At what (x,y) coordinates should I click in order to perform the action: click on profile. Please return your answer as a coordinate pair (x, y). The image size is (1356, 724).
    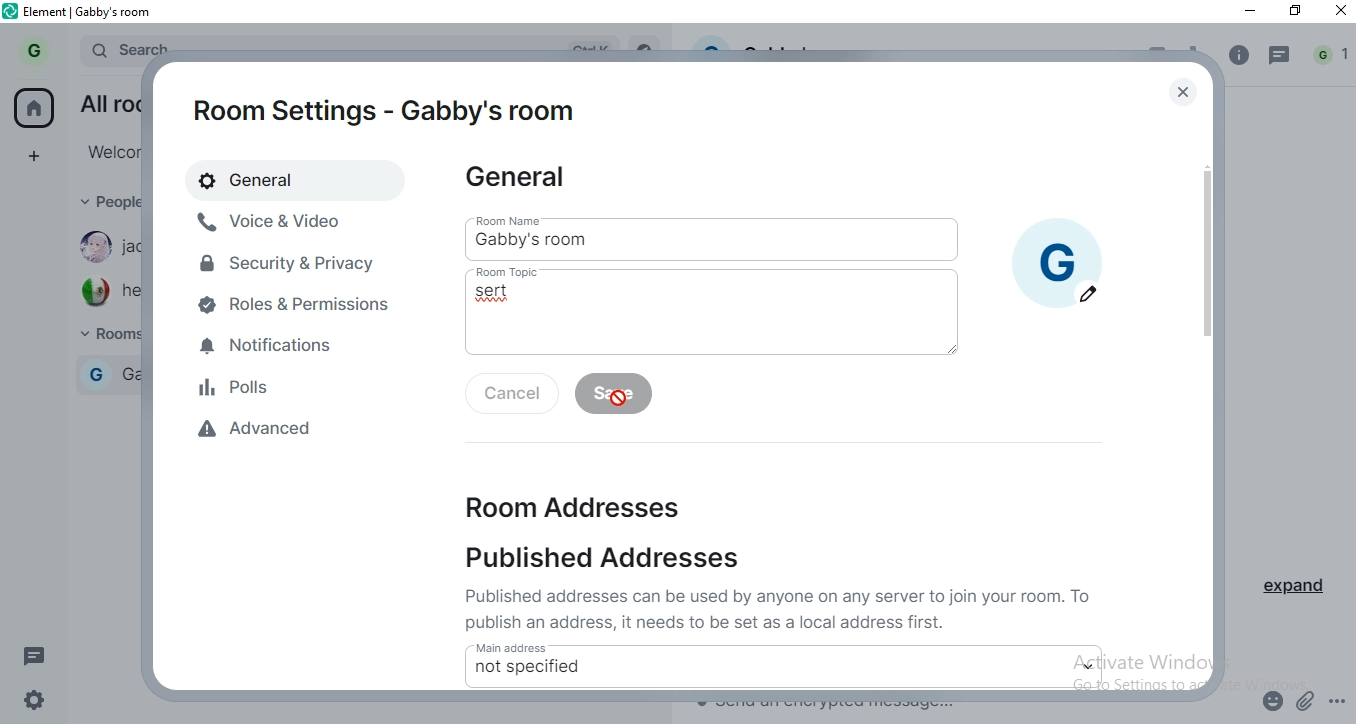
    Looking at the image, I should click on (32, 50).